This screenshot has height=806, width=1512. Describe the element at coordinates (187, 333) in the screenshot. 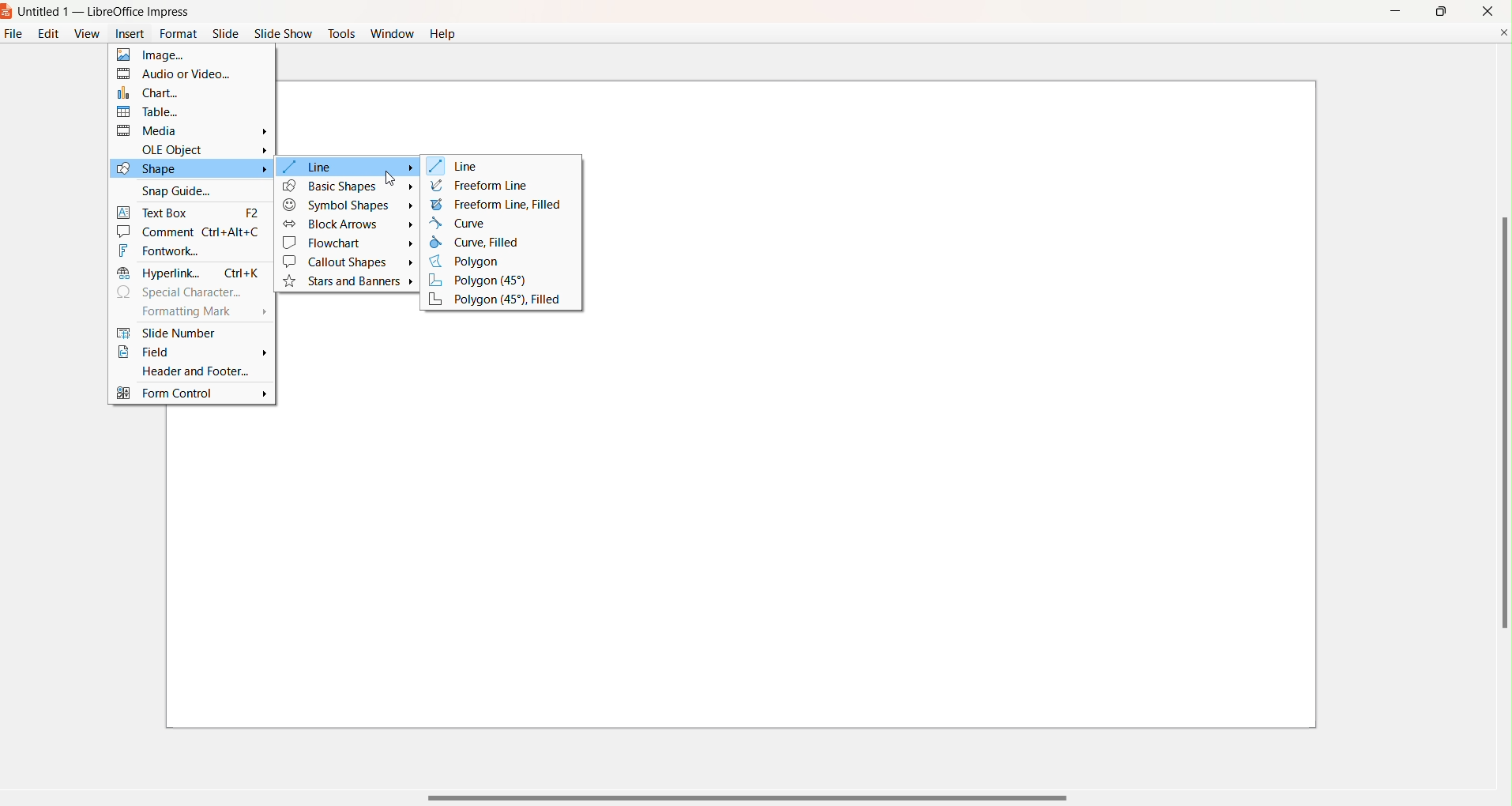

I see `Slide Number` at that location.